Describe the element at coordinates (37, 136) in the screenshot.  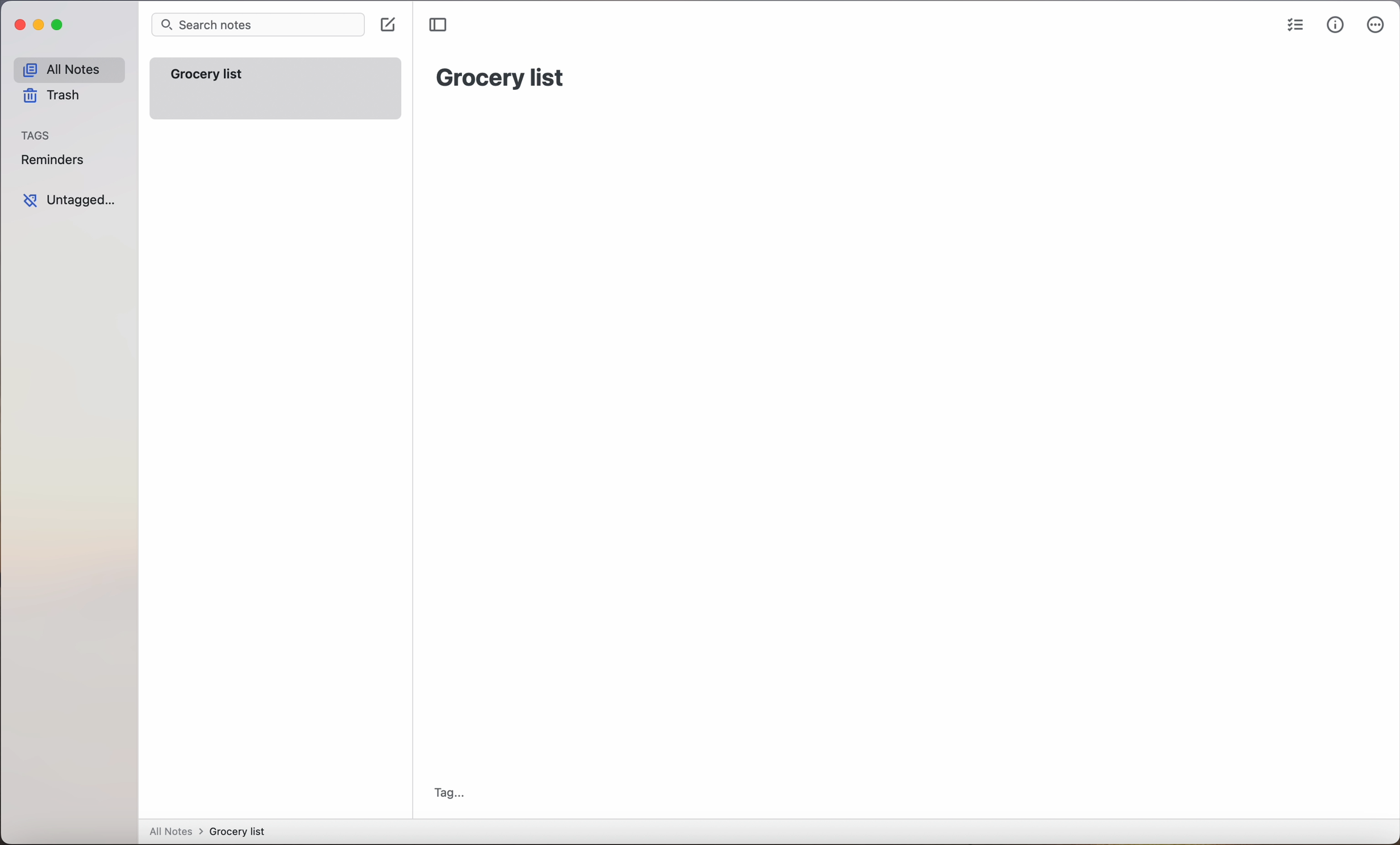
I see `tags` at that location.